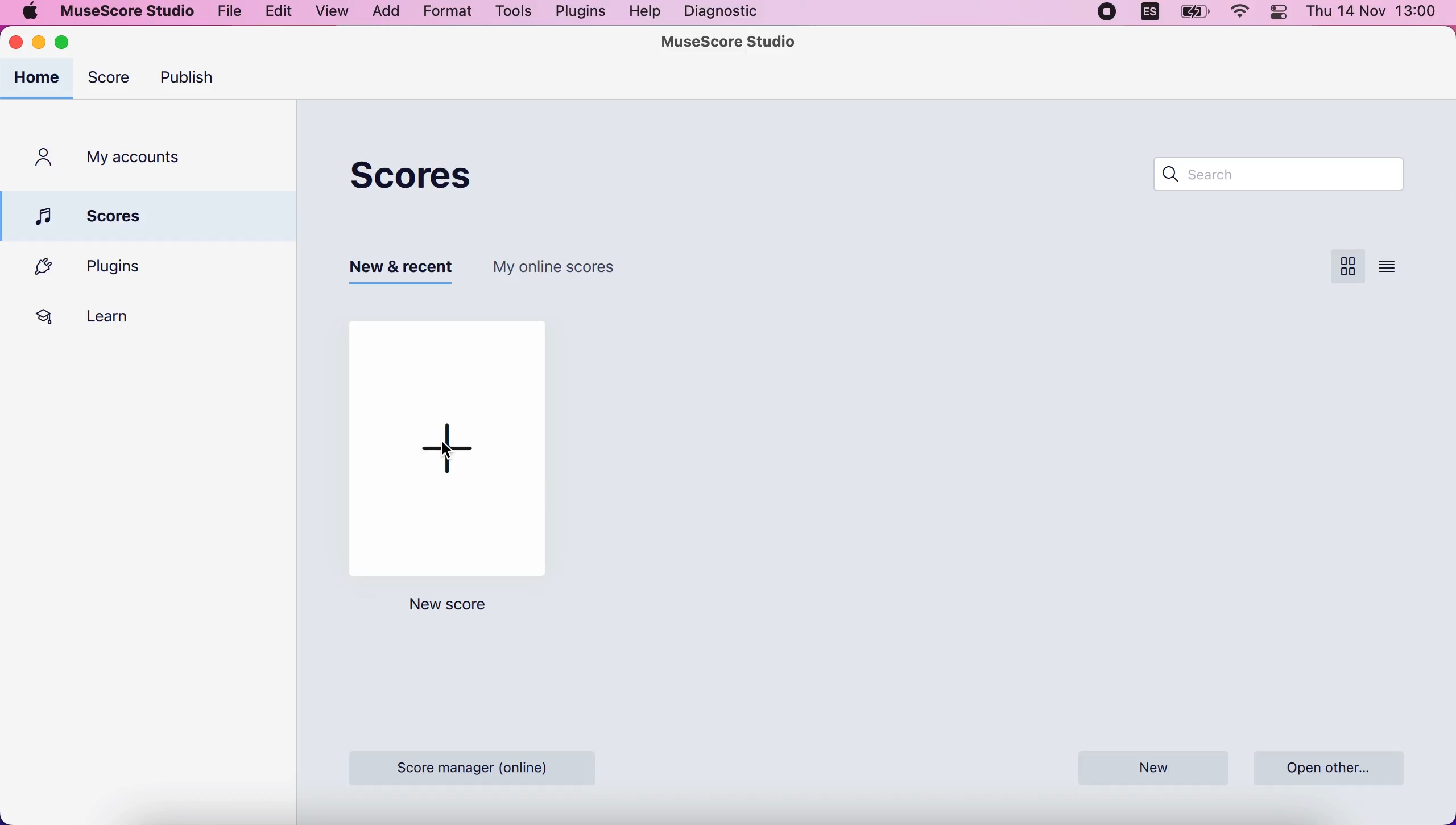 This screenshot has height=825, width=1456. What do you see at coordinates (437, 608) in the screenshot?
I see `new score` at bounding box center [437, 608].